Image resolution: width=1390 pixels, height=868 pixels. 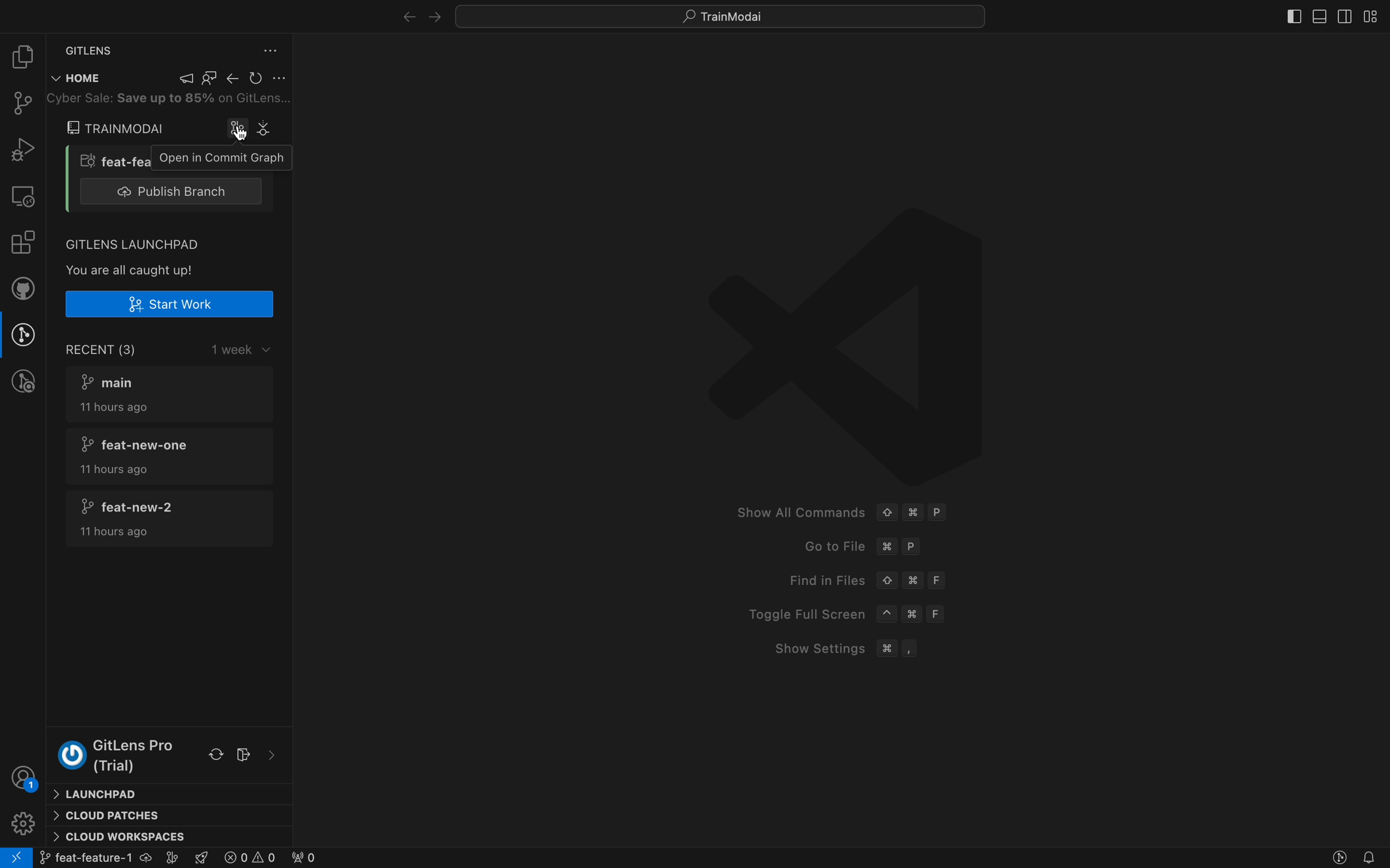 I want to click on Recent, so click(x=177, y=348).